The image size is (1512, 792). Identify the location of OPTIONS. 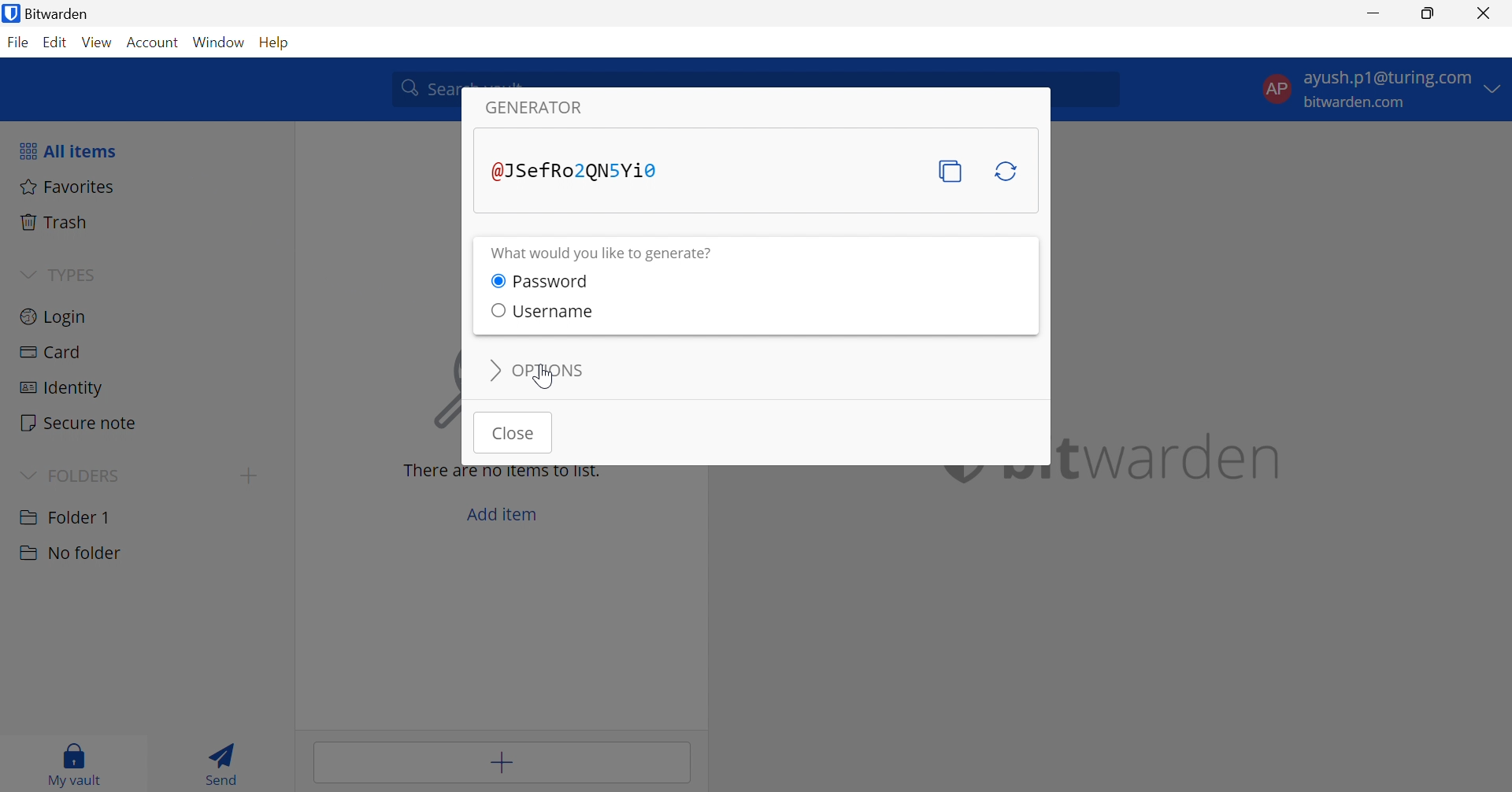
(550, 371).